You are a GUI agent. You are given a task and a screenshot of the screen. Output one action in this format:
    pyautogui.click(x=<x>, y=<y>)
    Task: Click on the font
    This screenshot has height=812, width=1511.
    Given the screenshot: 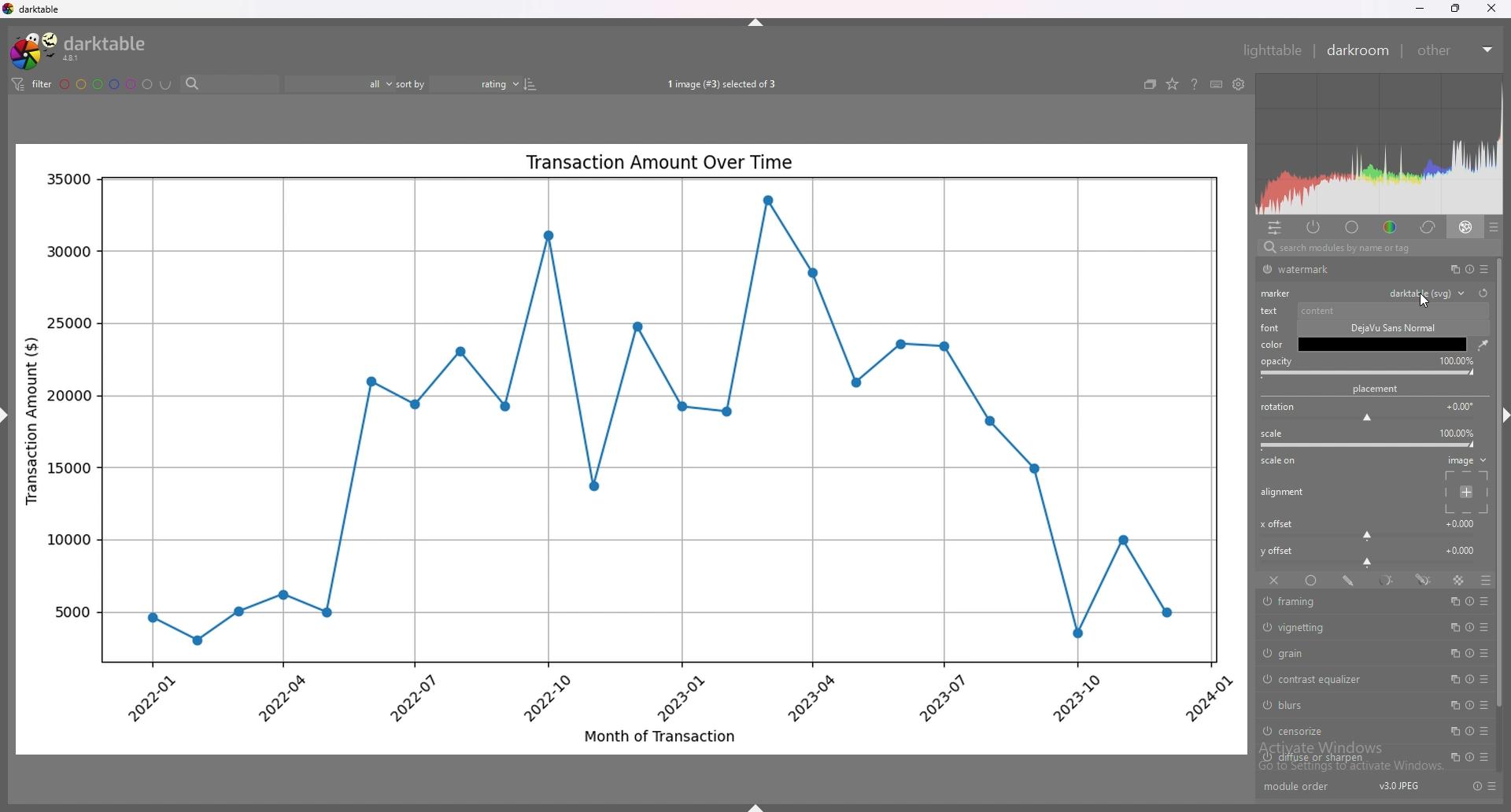 What is the action you would take?
    pyautogui.click(x=1391, y=328)
    